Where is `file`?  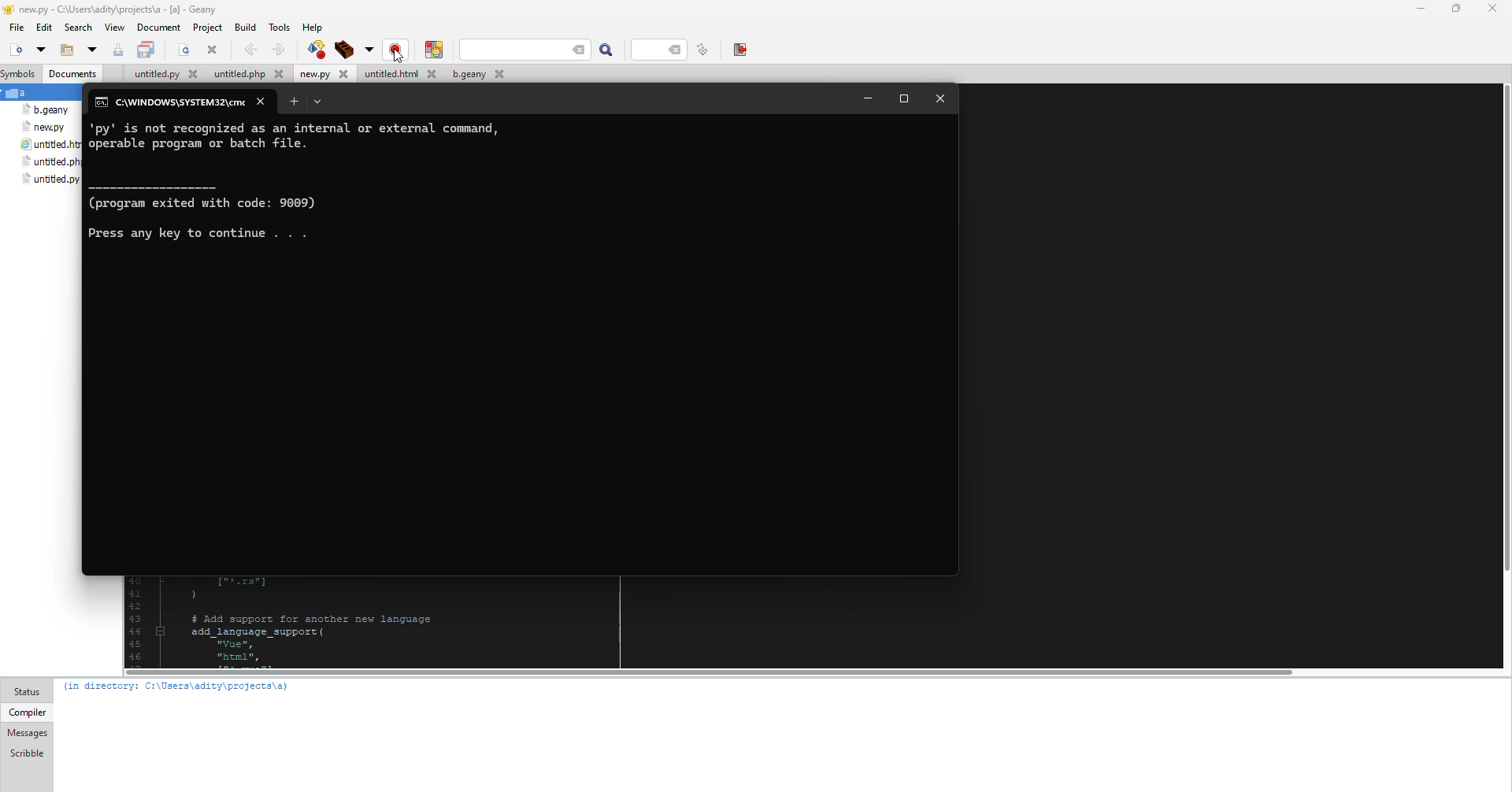 file is located at coordinates (50, 144).